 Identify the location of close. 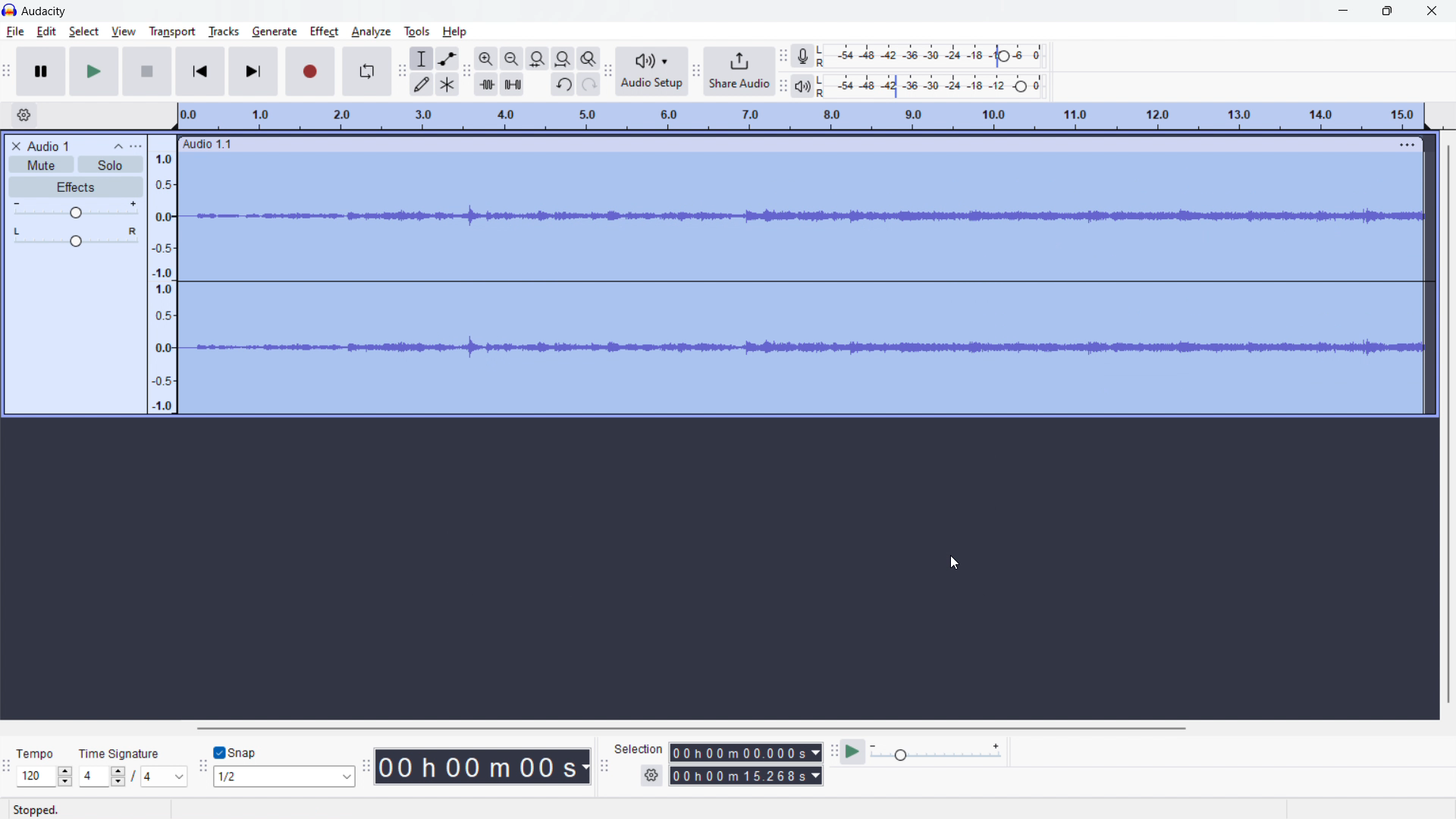
(1432, 11).